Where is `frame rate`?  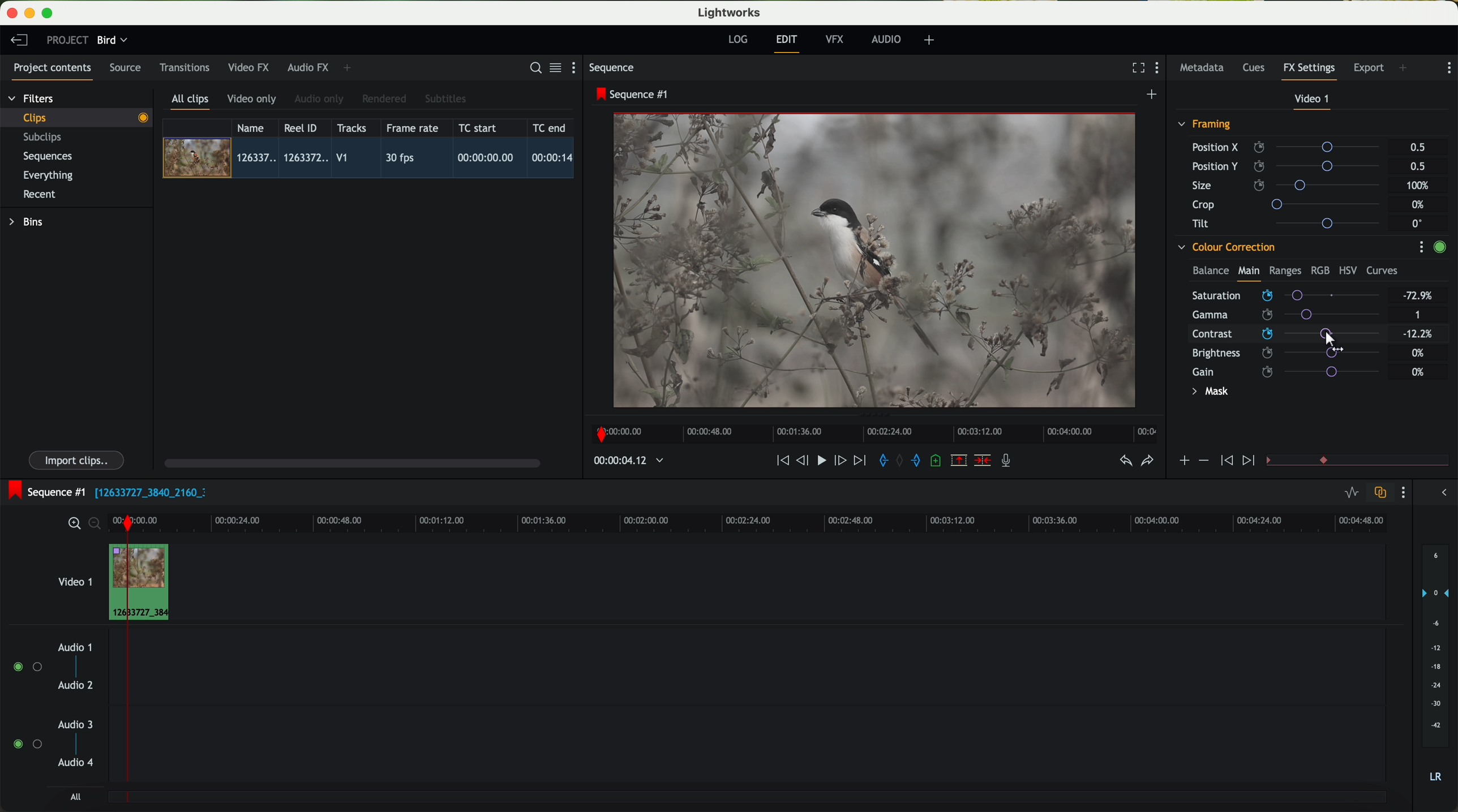
frame rate is located at coordinates (413, 128).